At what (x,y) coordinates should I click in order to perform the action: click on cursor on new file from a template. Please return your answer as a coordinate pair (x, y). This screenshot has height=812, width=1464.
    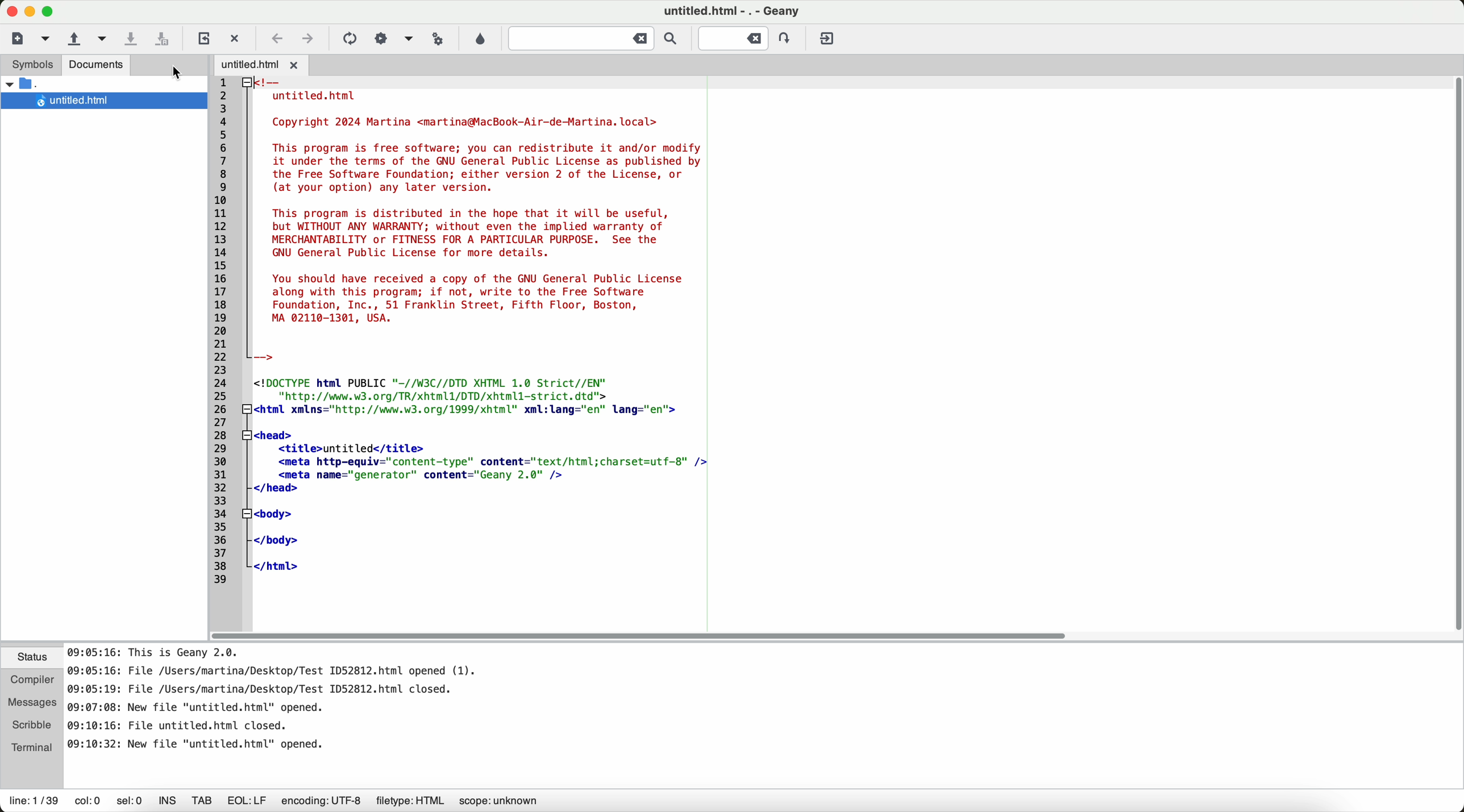
    Looking at the image, I should click on (47, 39).